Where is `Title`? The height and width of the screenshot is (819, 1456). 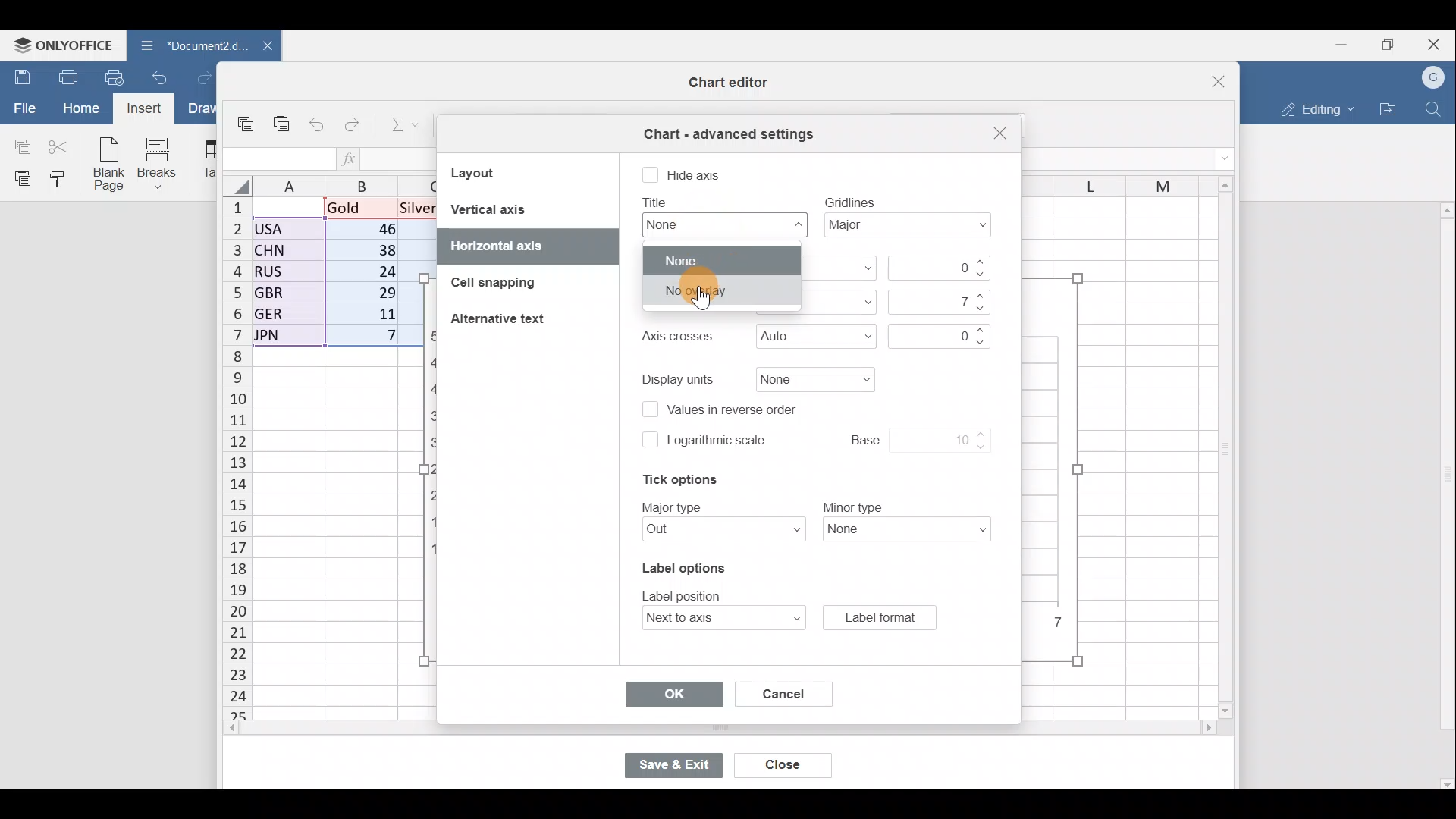 Title is located at coordinates (720, 224).